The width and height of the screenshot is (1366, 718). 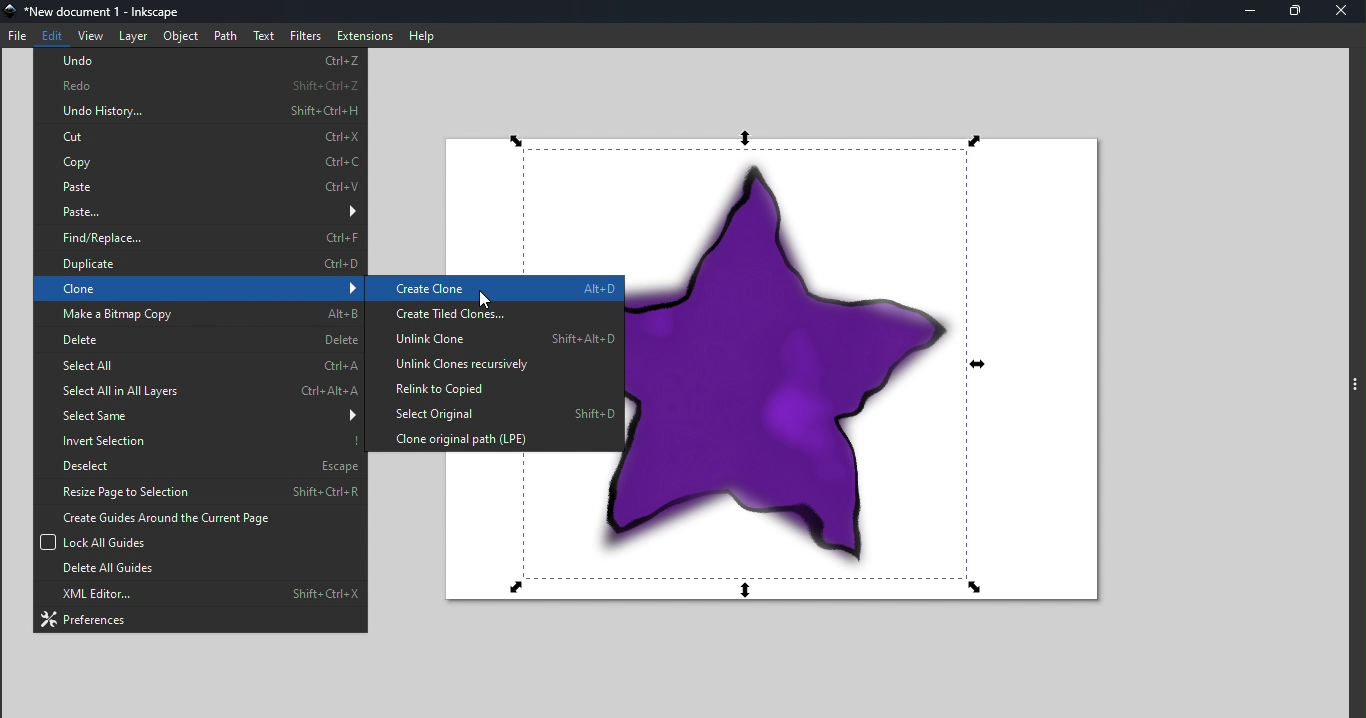 What do you see at coordinates (200, 239) in the screenshot?
I see `find/replace` at bounding box center [200, 239].